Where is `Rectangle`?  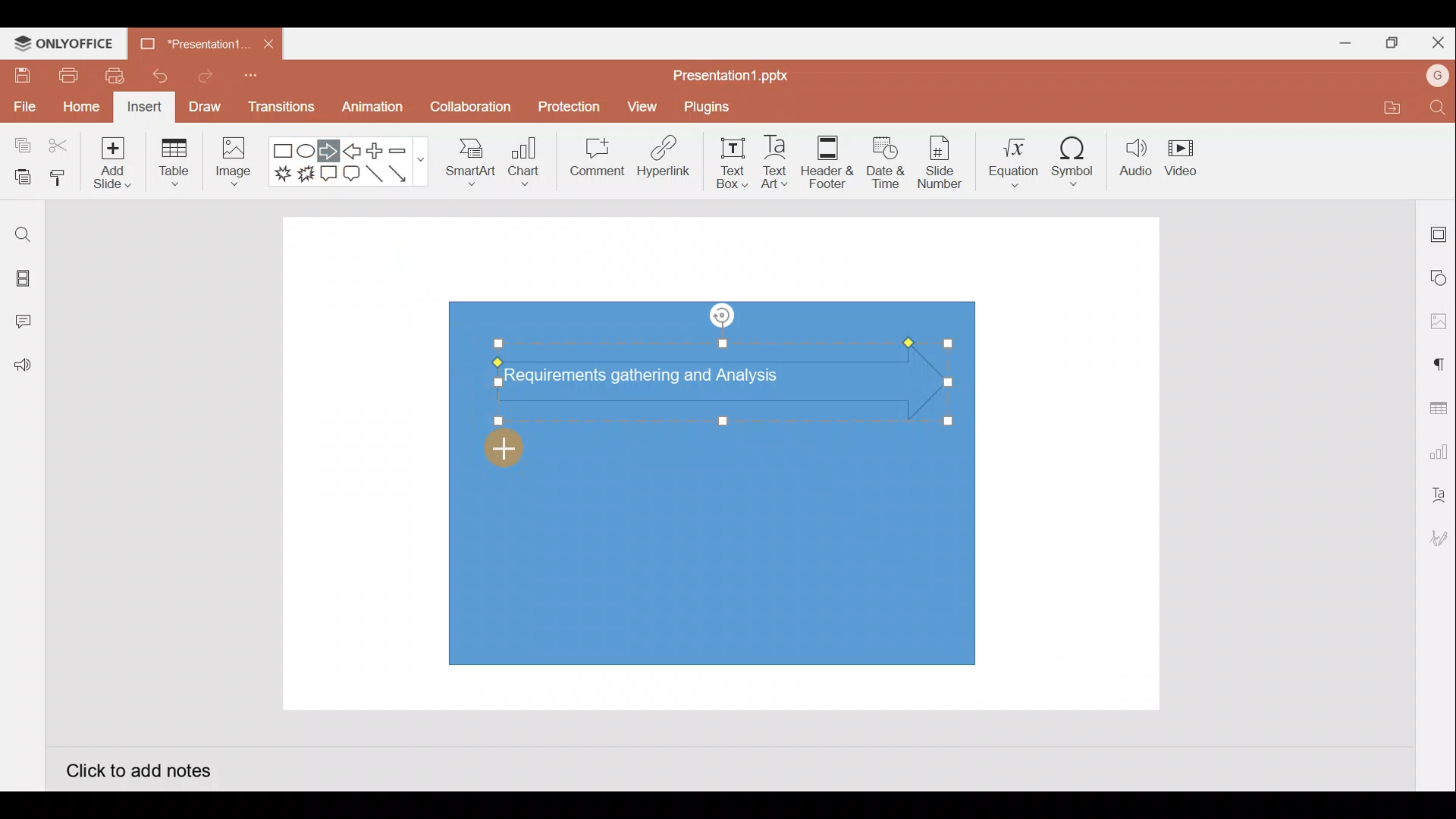 Rectangle is located at coordinates (284, 152).